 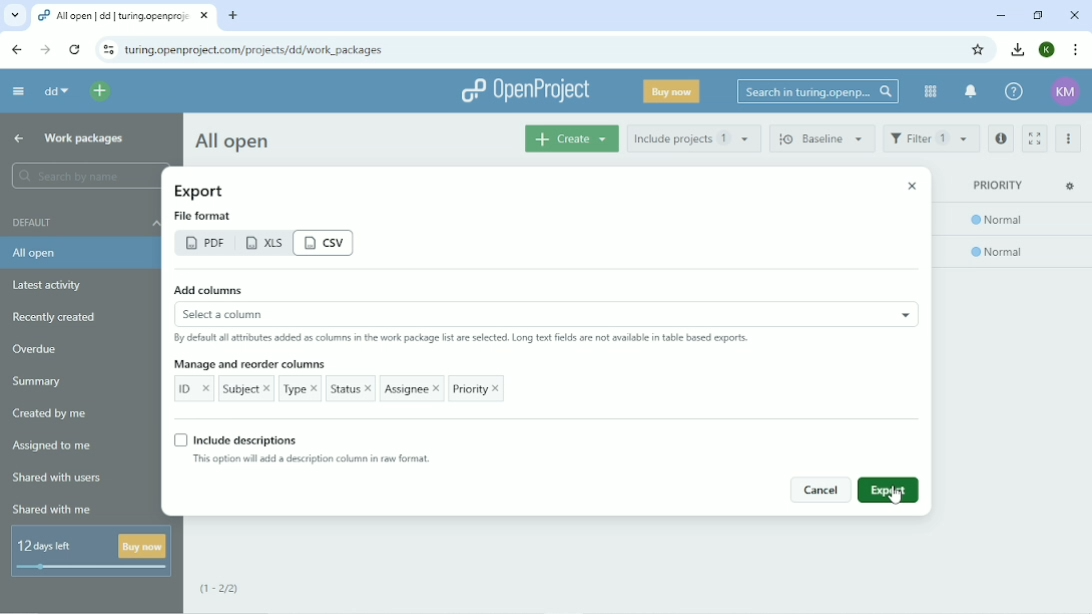 I want to click on select a column, so click(x=548, y=313).